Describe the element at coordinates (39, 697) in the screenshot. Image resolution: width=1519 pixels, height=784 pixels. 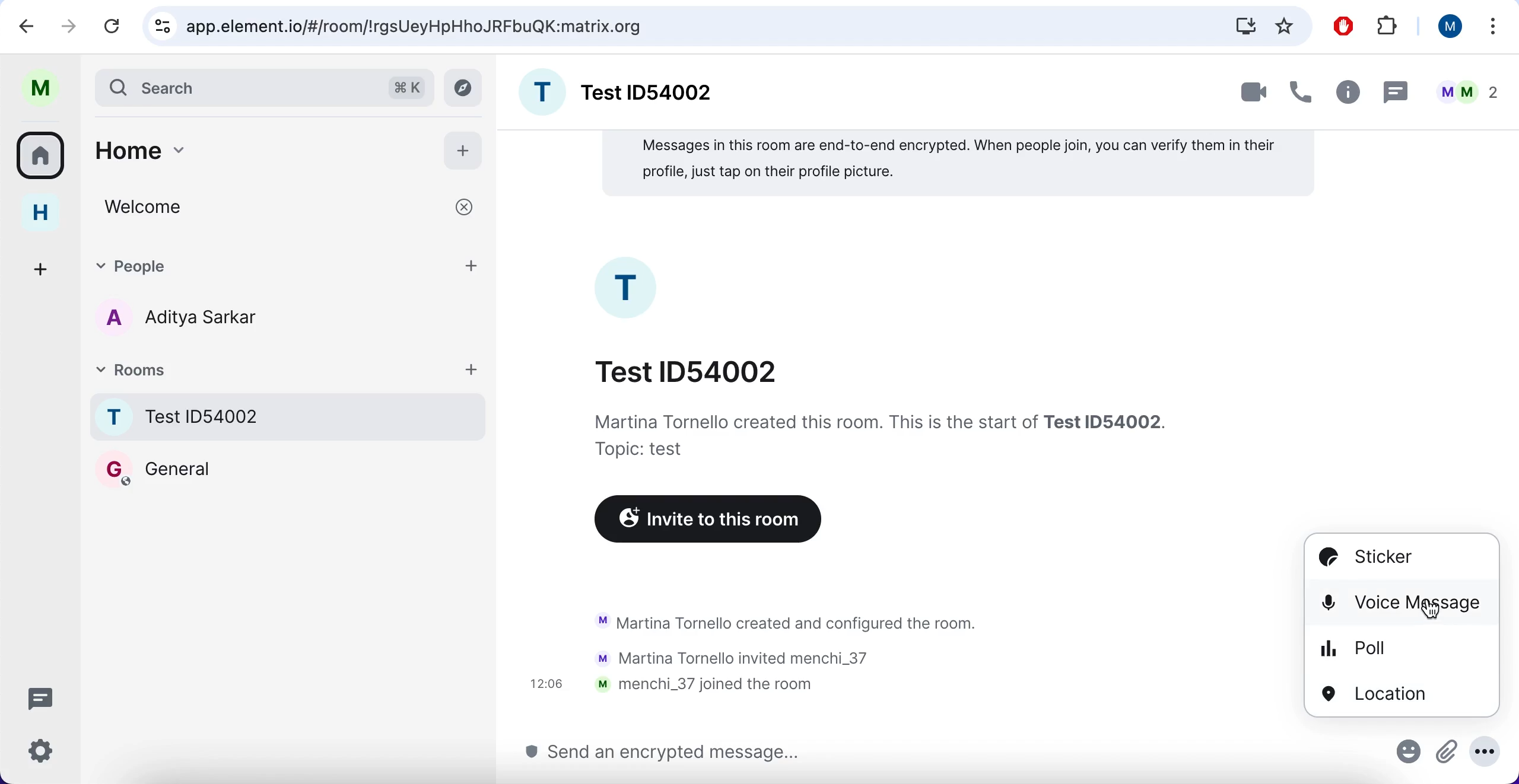
I see `threads` at that location.